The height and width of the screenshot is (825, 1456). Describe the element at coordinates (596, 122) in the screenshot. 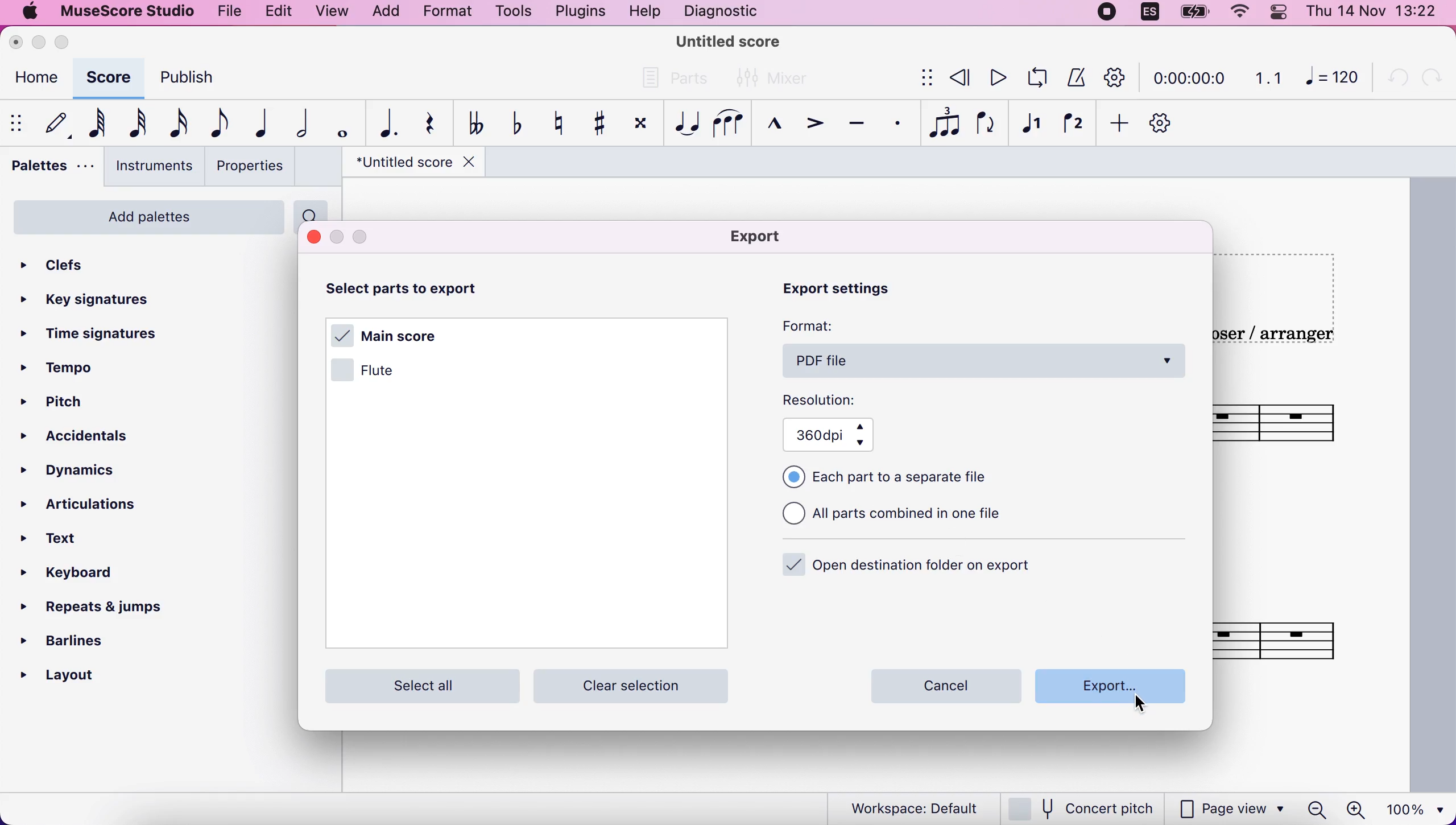

I see `toggle sharp` at that location.